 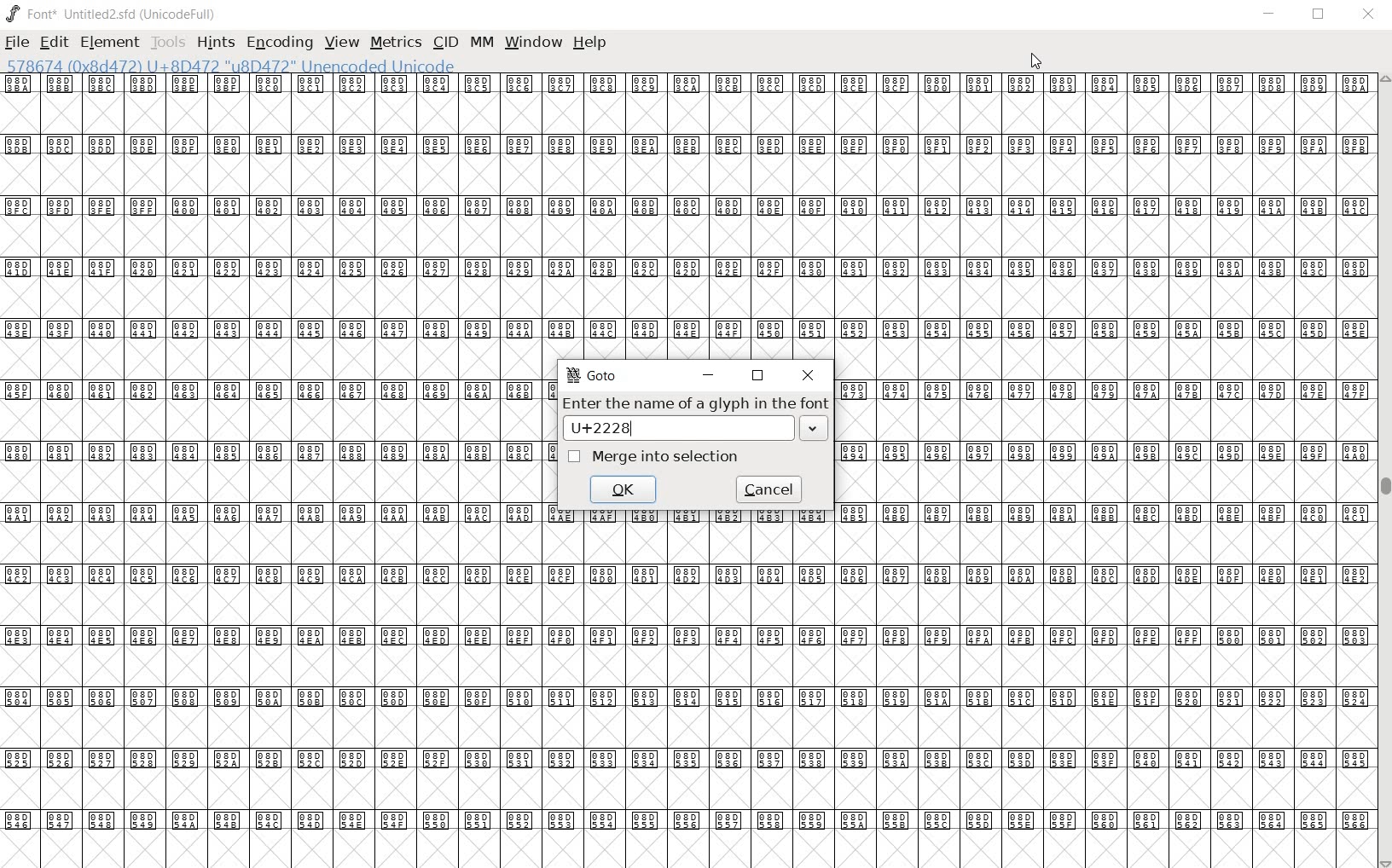 I want to click on hints, so click(x=214, y=44).